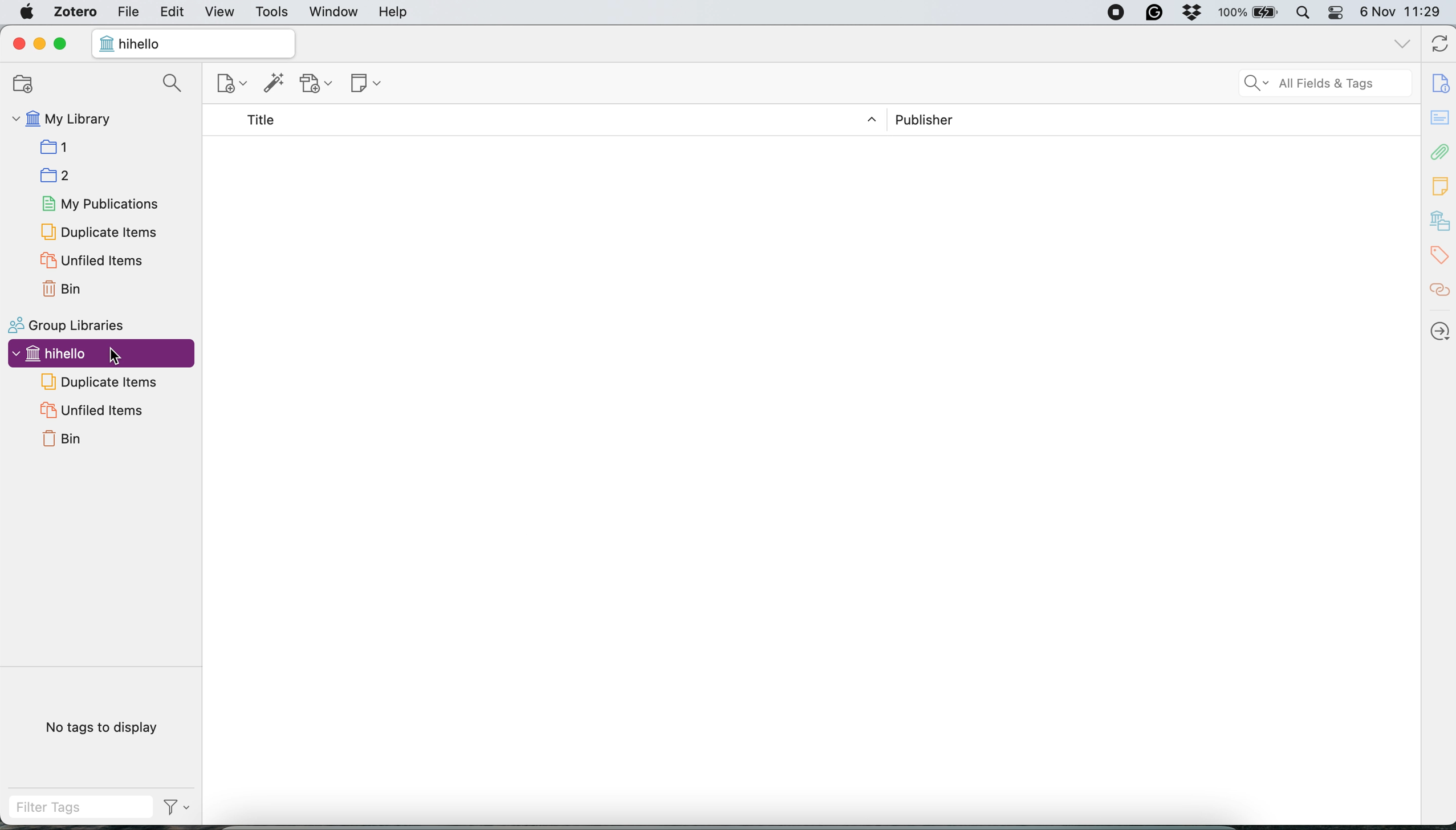 The width and height of the screenshot is (1456, 830). I want to click on Hotspot, so click(1438, 290).